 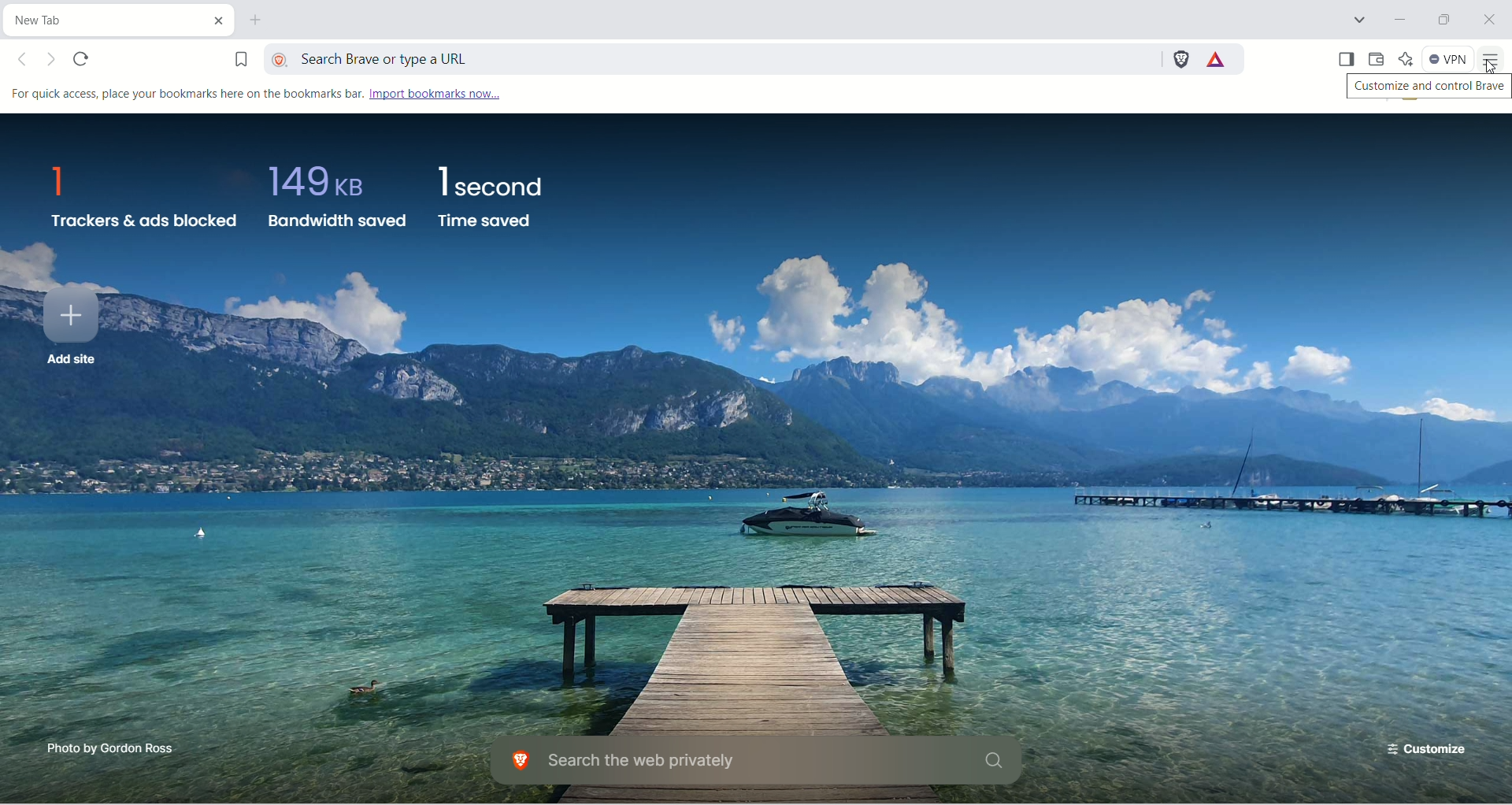 What do you see at coordinates (710, 57) in the screenshot?
I see `search Brave or type a URL` at bounding box center [710, 57].